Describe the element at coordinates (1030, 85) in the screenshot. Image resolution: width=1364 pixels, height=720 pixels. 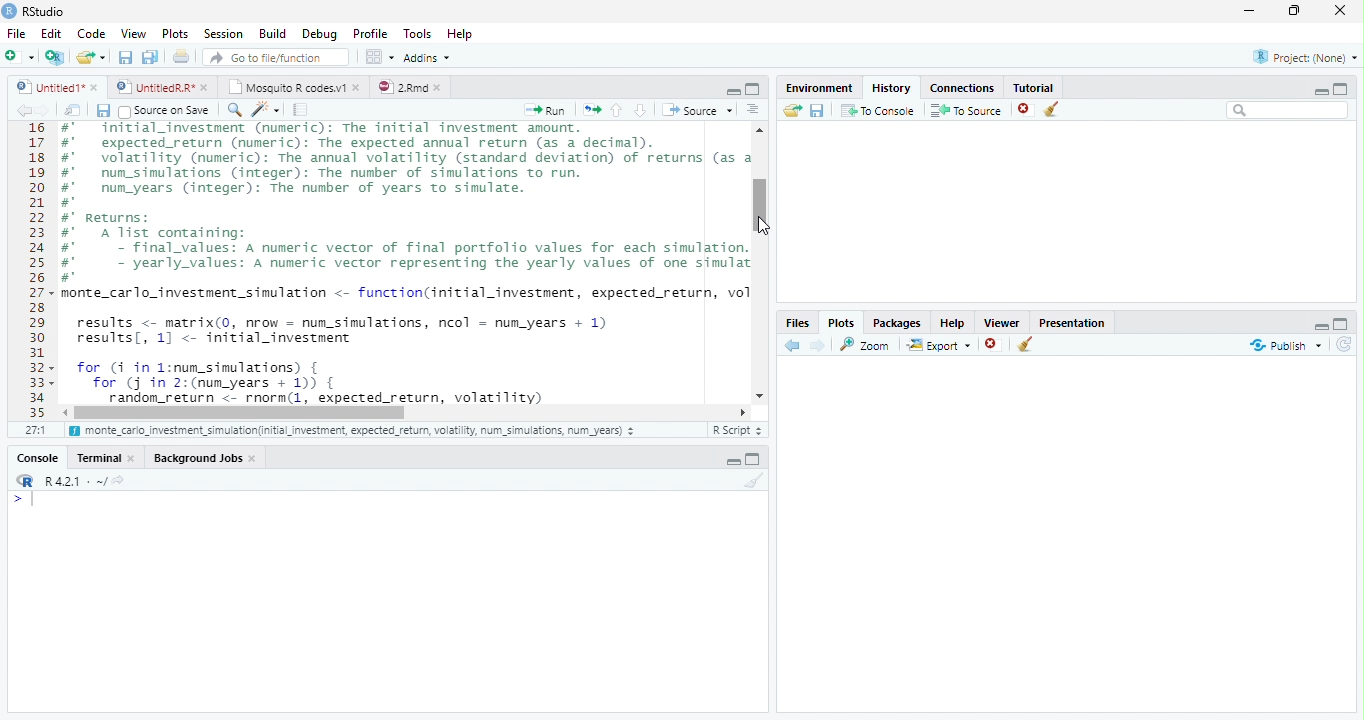
I see `Tutorial` at that location.